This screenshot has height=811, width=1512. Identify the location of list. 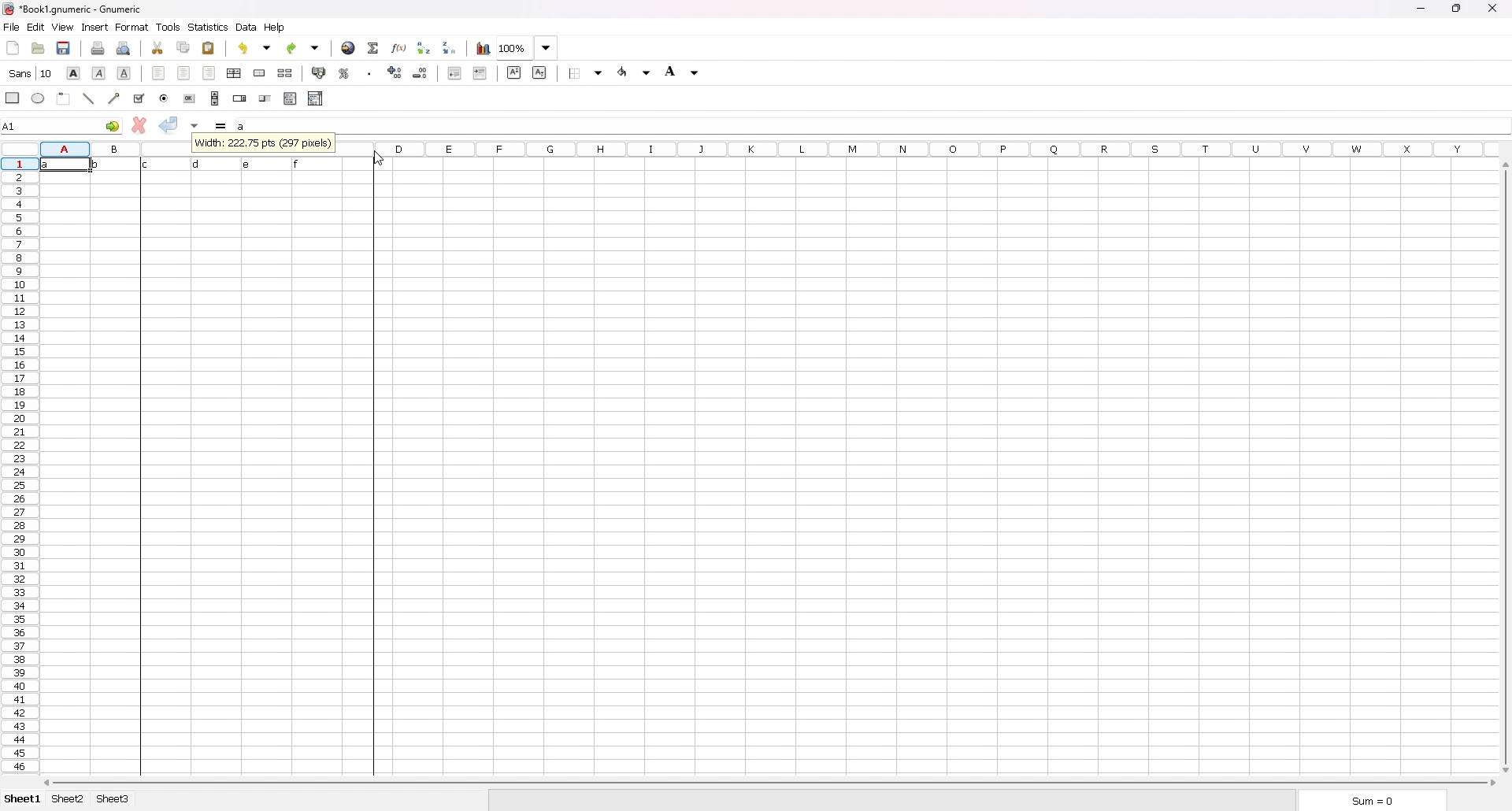
(290, 98).